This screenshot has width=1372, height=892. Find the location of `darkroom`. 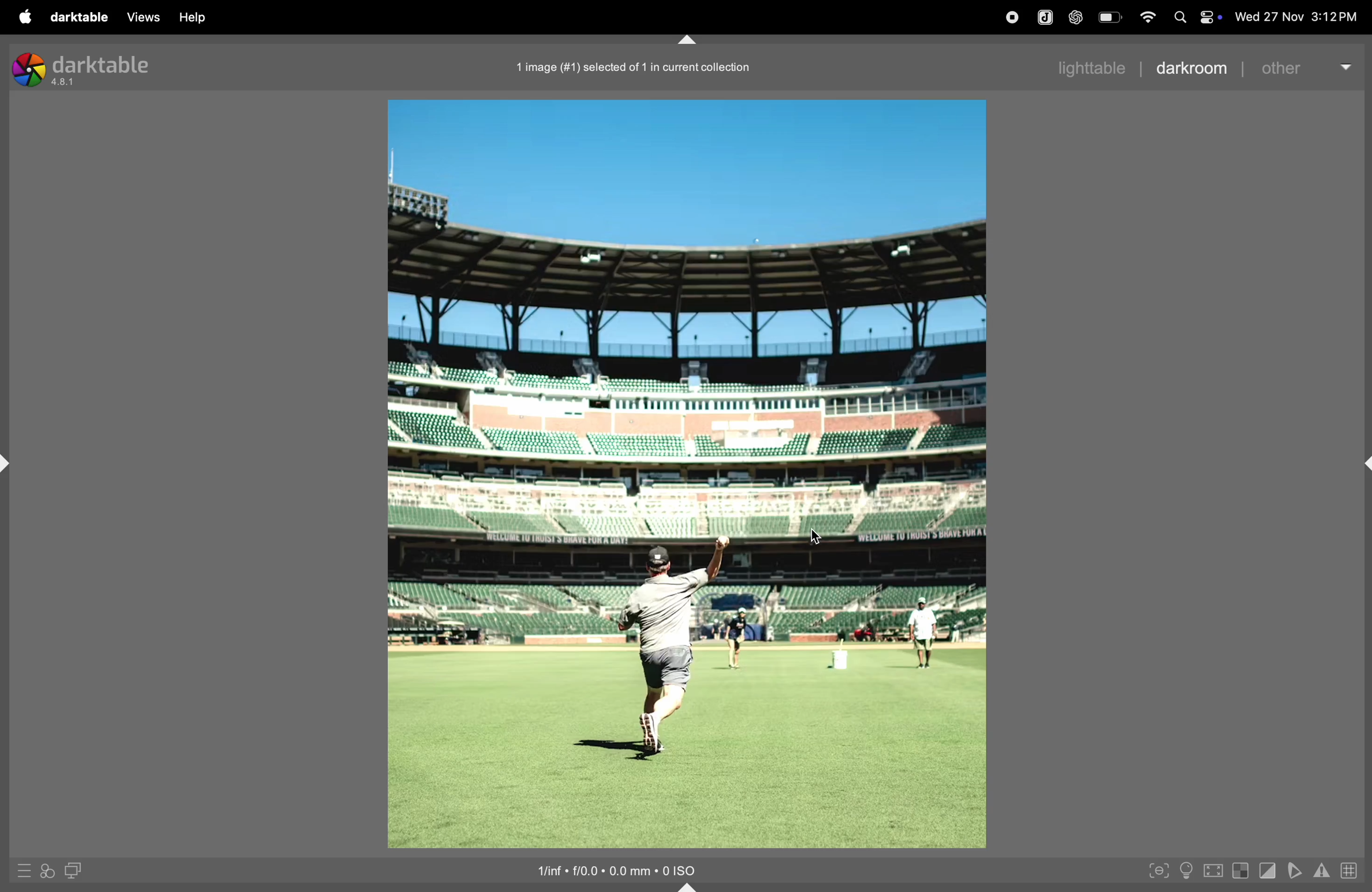

darkroom is located at coordinates (1192, 69).